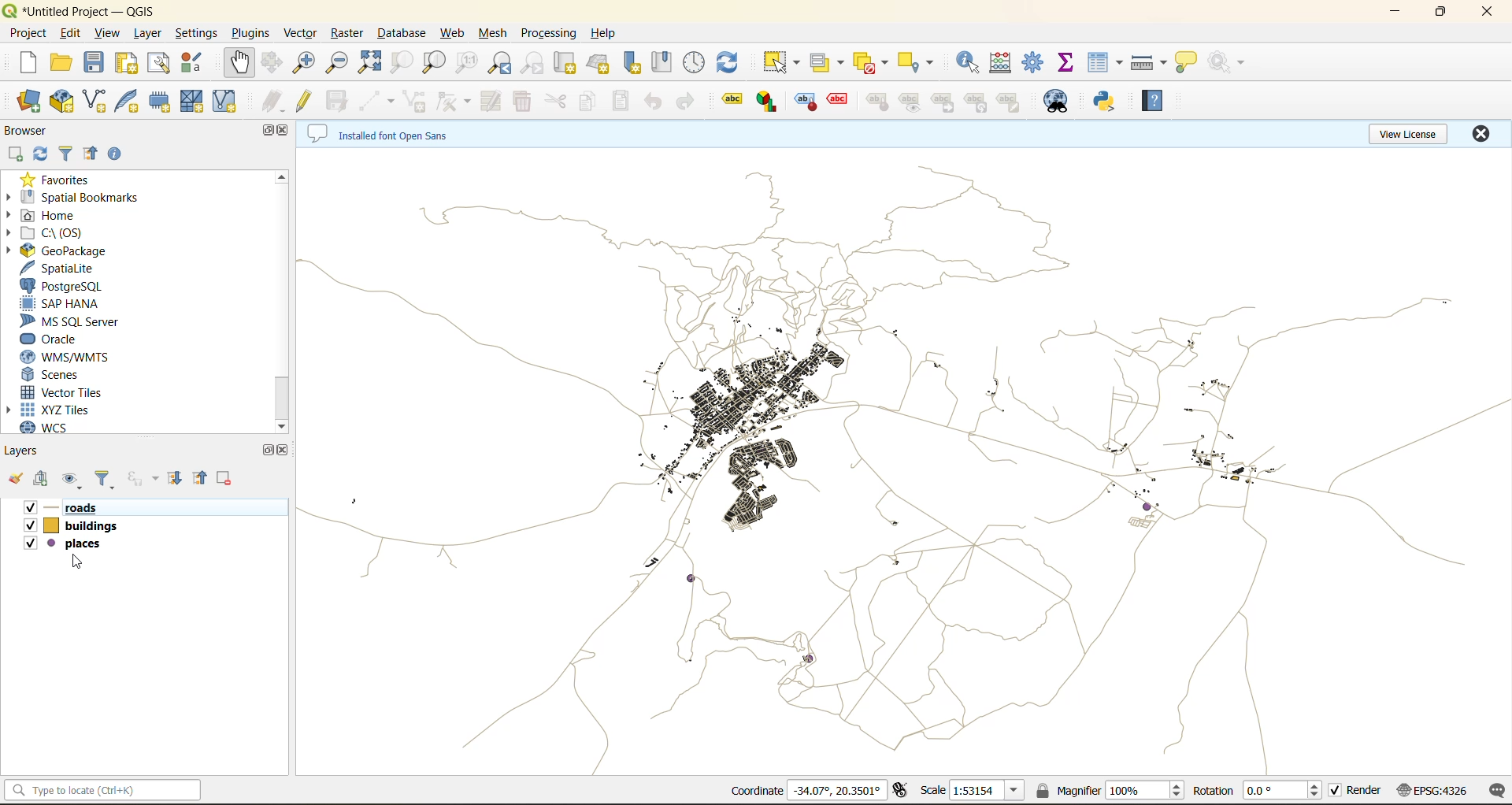  Describe the element at coordinates (601, 60) in the screenshot. I see `new 3d map` at that location.